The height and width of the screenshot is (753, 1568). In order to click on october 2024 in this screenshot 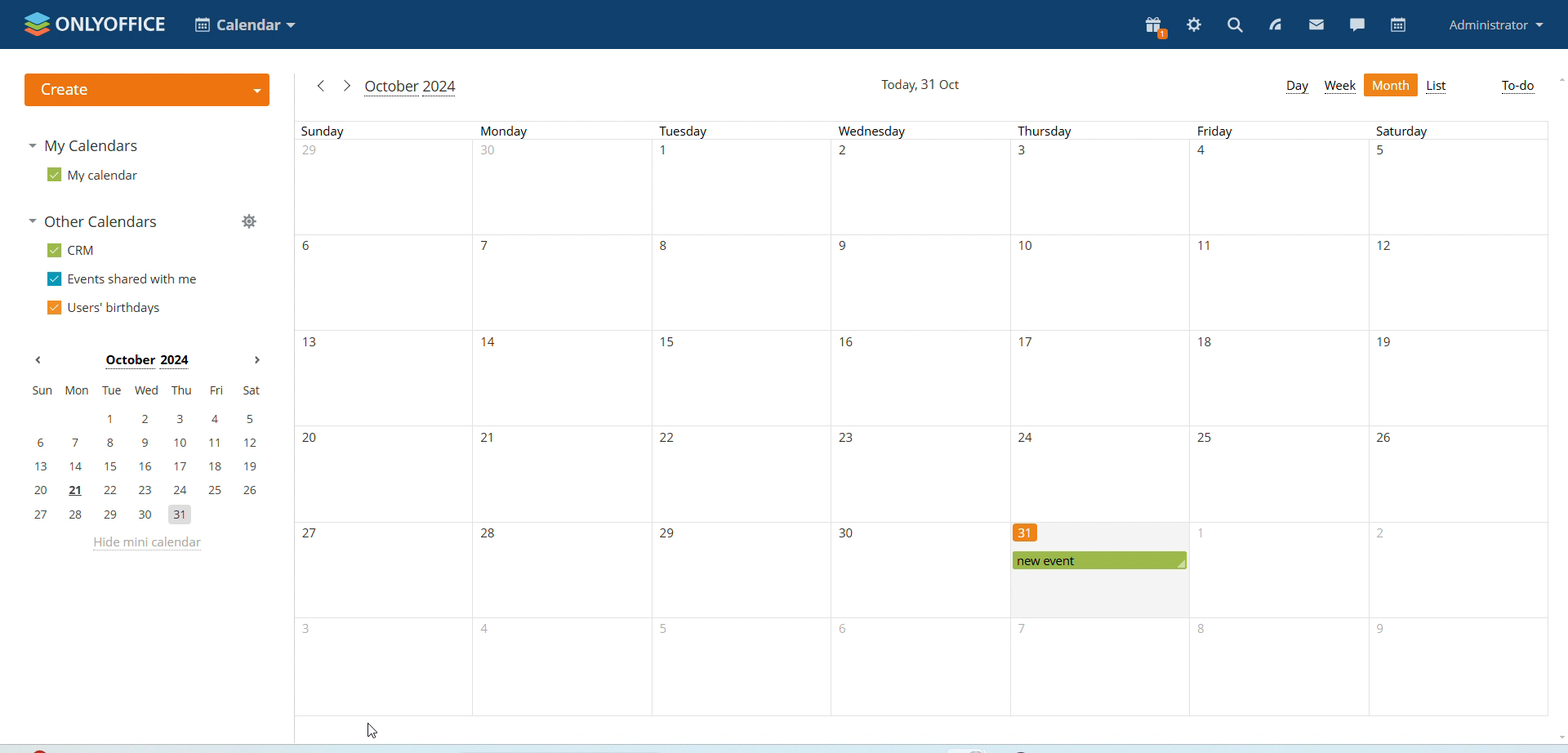, I will do `click(411, 87)`.